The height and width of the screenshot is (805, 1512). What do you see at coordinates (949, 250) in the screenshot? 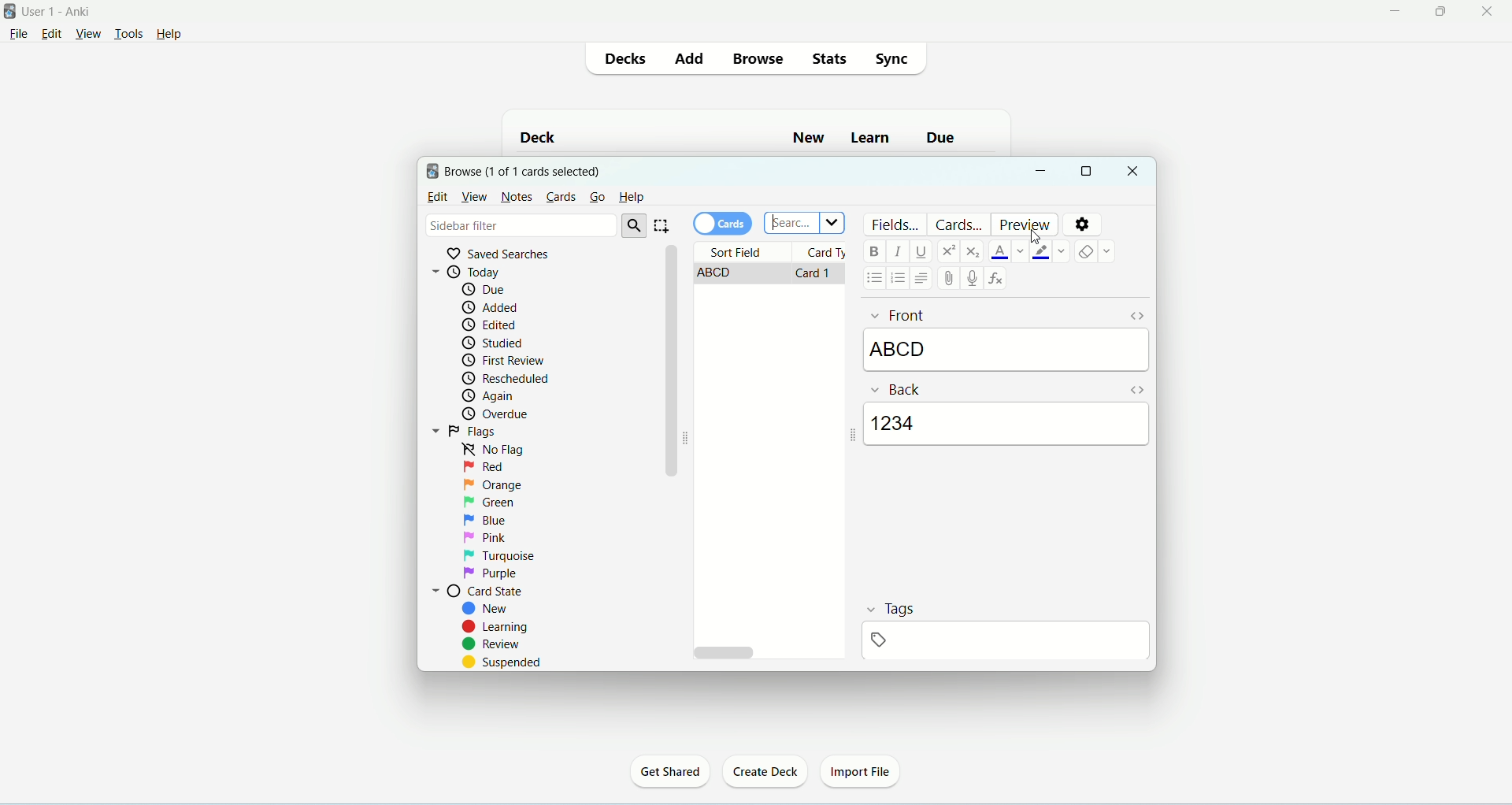
I see `superscript` at bounding box center [949, 250].